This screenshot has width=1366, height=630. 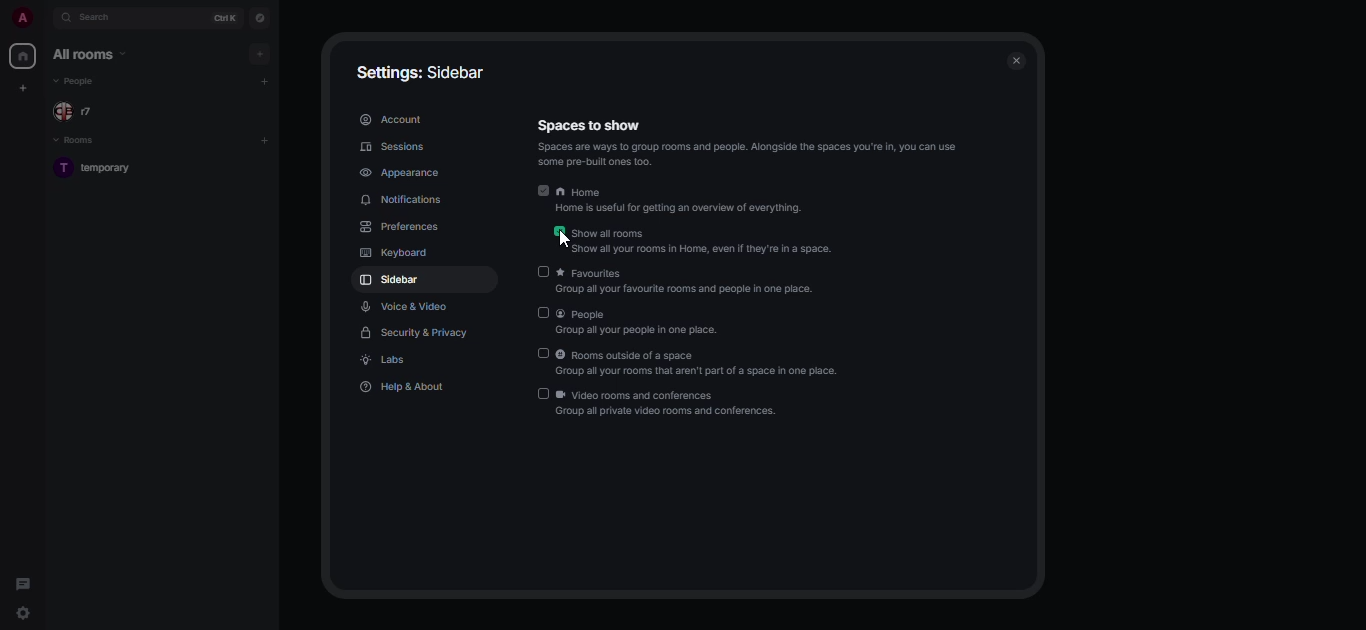 What do you see at coordinates (405, 172) in the screenshot?
I see `appearance` at bounding box center [405, 172].